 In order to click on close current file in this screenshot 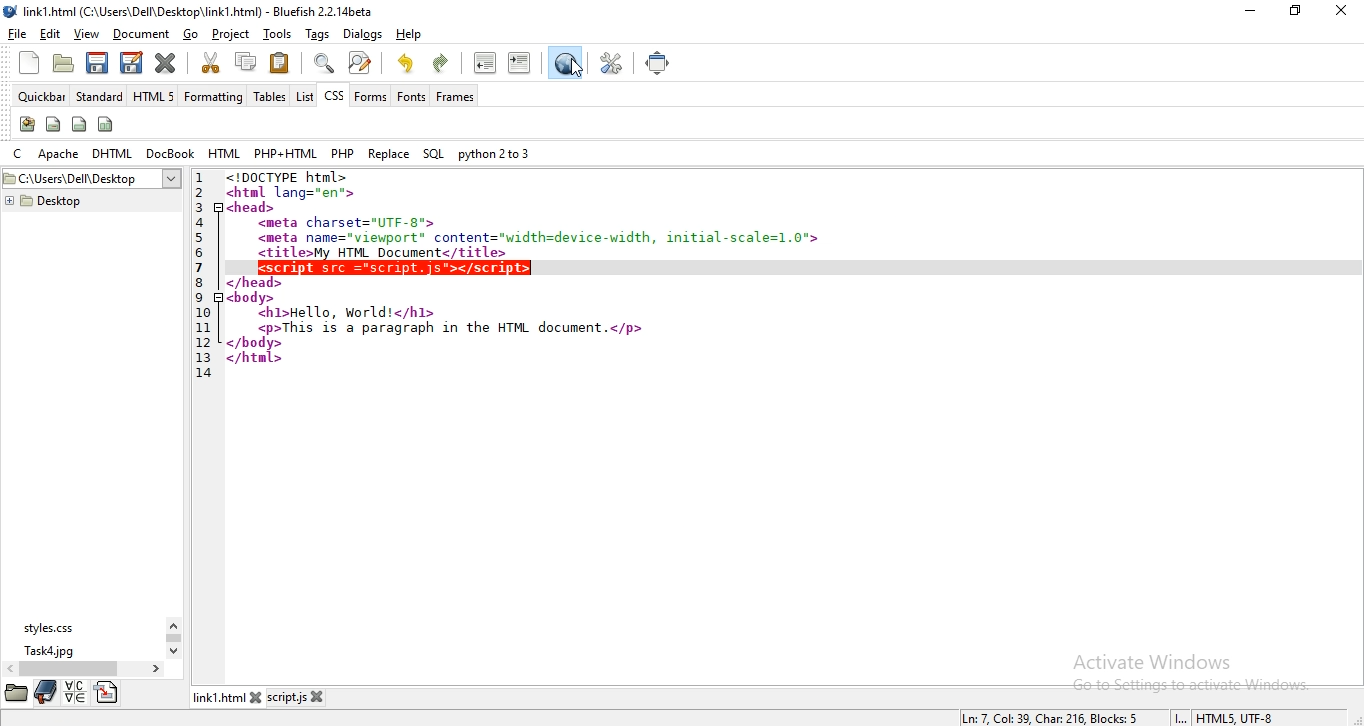, I will do `click(165, 65)`.